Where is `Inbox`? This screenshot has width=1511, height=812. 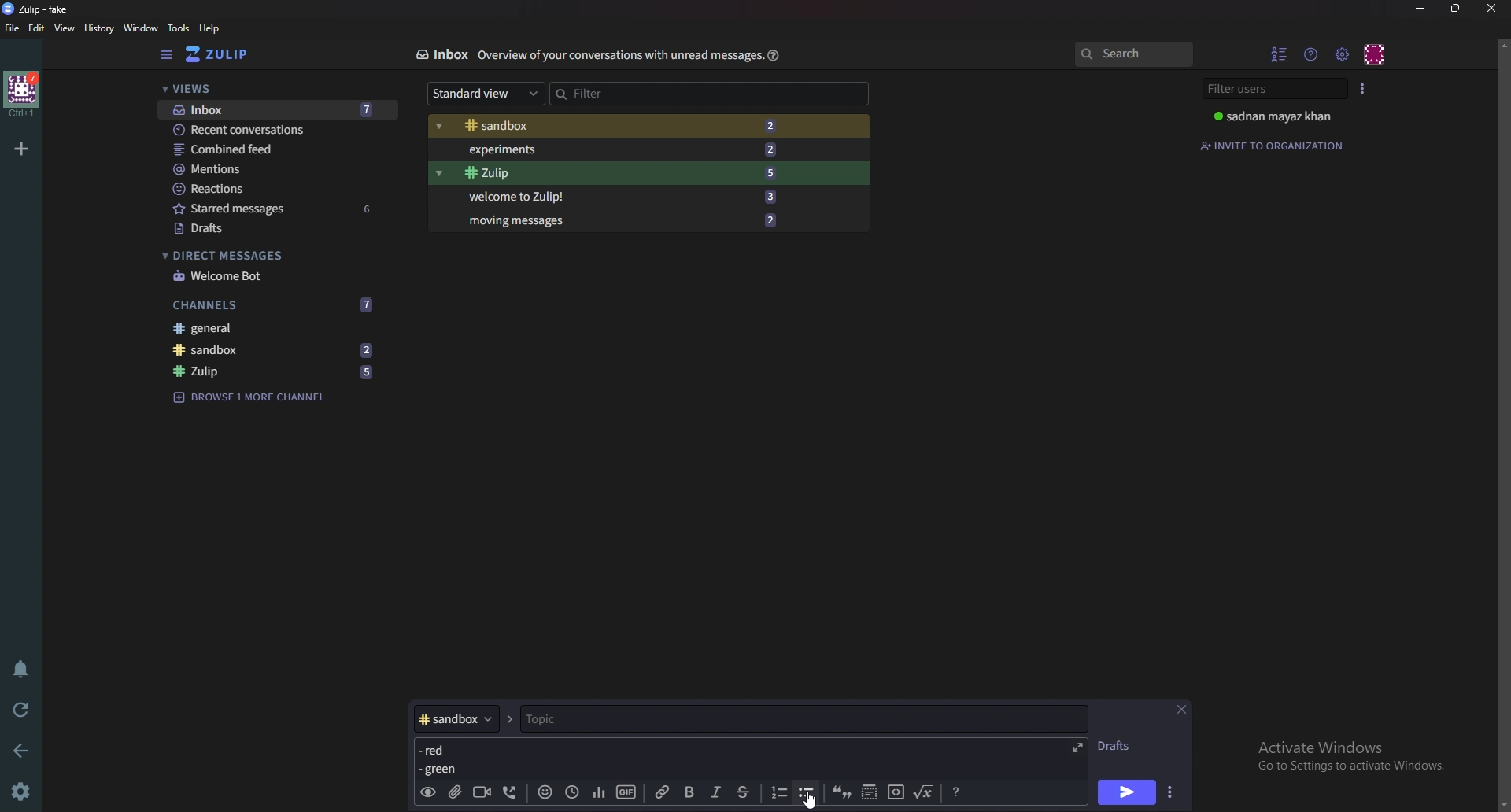
Inbox is located at coordinates (441, 54).